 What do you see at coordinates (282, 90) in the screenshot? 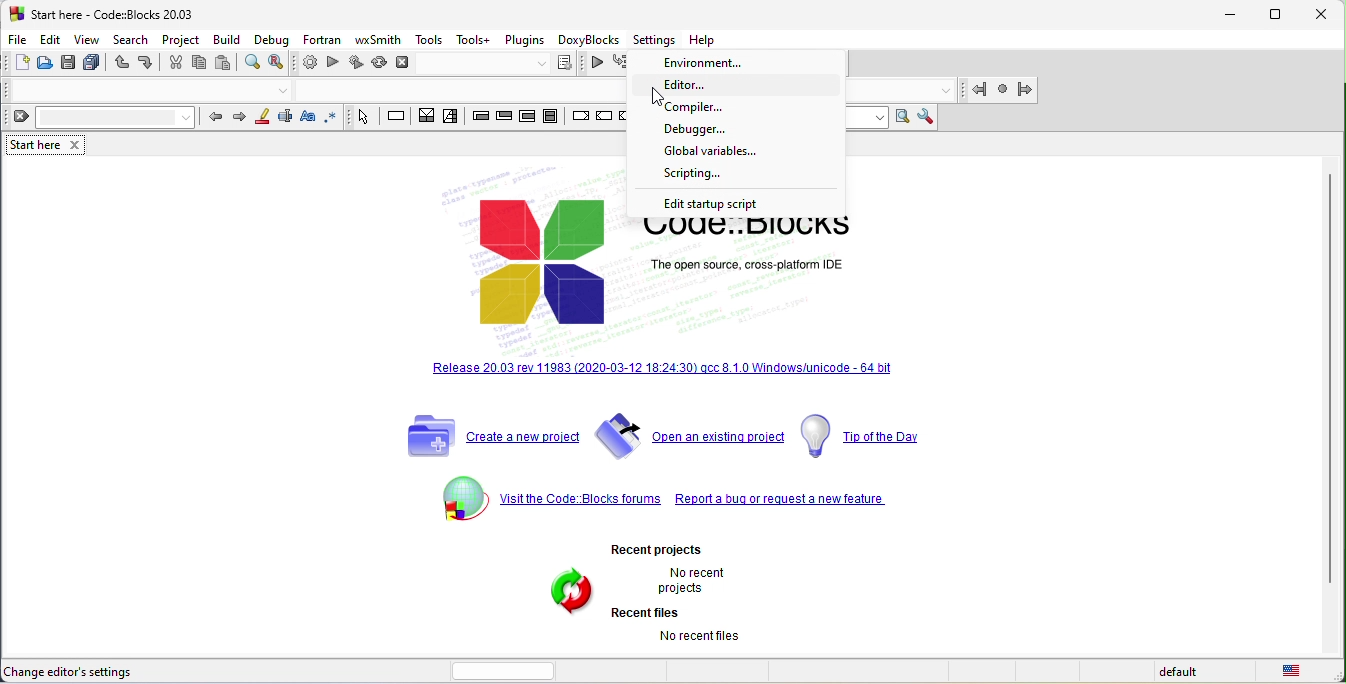
I see `drop down` at bounding box center [282, 90].